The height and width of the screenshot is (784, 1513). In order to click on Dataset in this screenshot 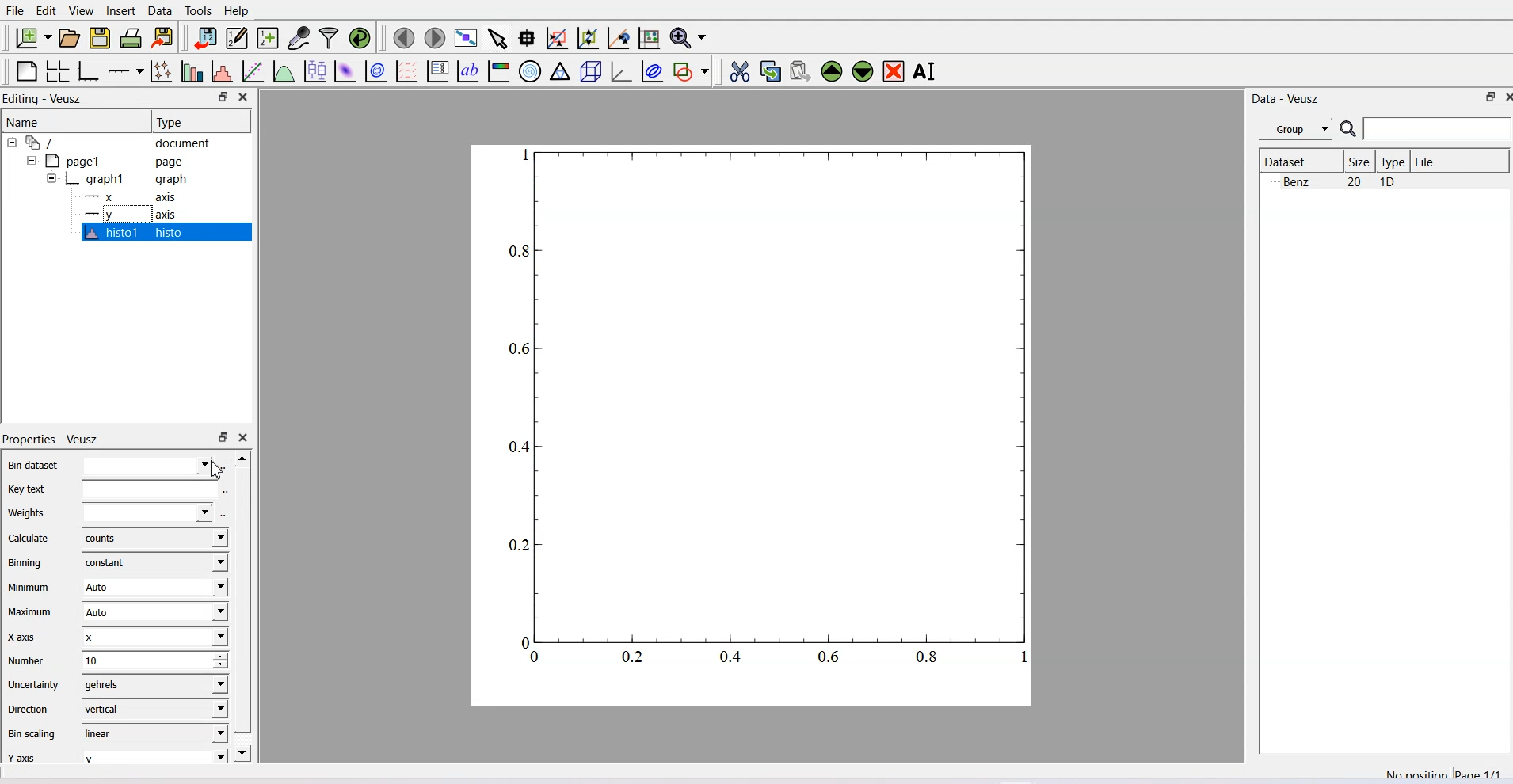, I will do `click(1299, 161)`.